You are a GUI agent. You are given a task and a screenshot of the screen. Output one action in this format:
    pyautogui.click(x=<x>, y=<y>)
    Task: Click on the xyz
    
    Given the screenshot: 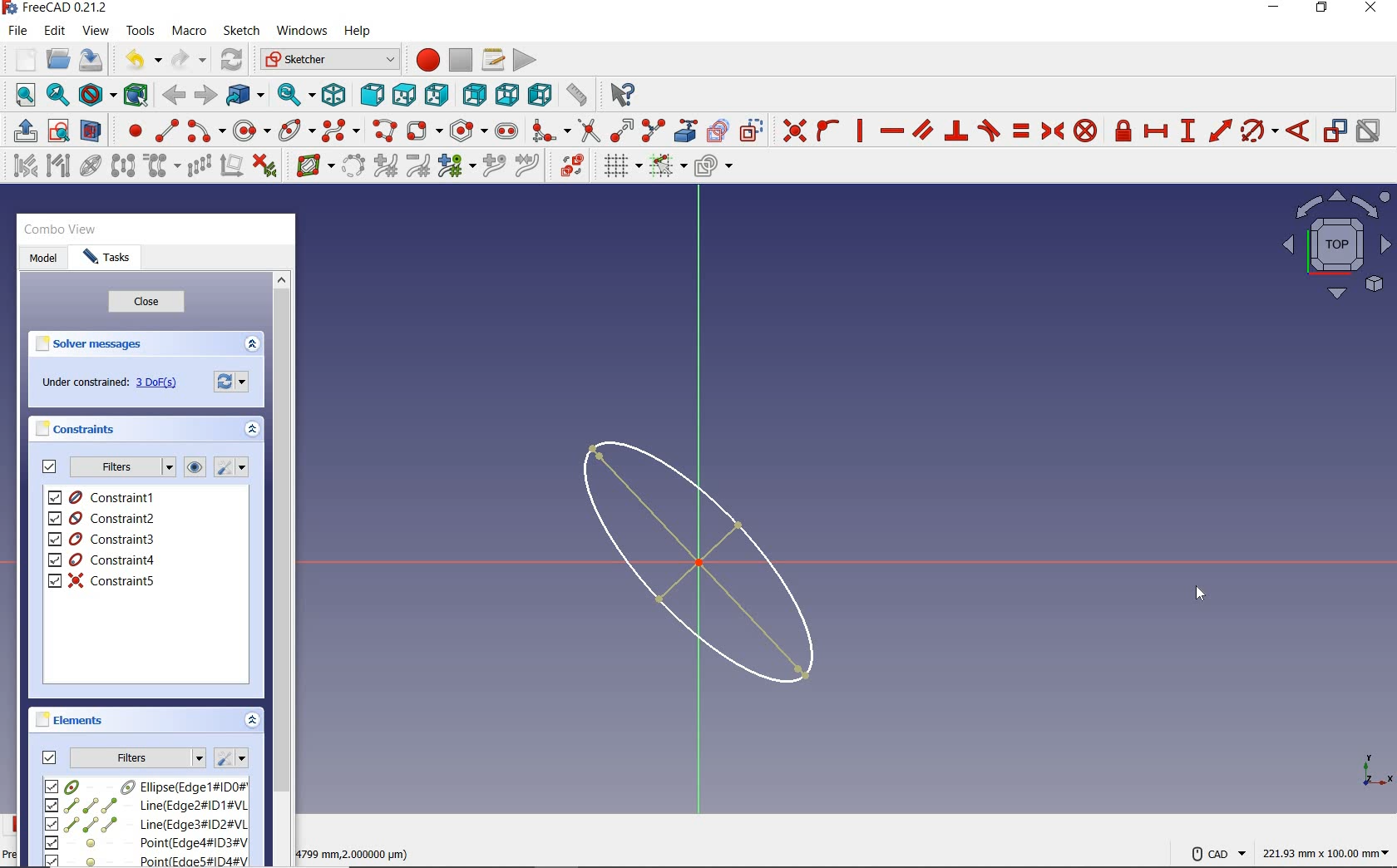 What is the action you would take?
    pyautogui.click(x=1374, y=768)
    